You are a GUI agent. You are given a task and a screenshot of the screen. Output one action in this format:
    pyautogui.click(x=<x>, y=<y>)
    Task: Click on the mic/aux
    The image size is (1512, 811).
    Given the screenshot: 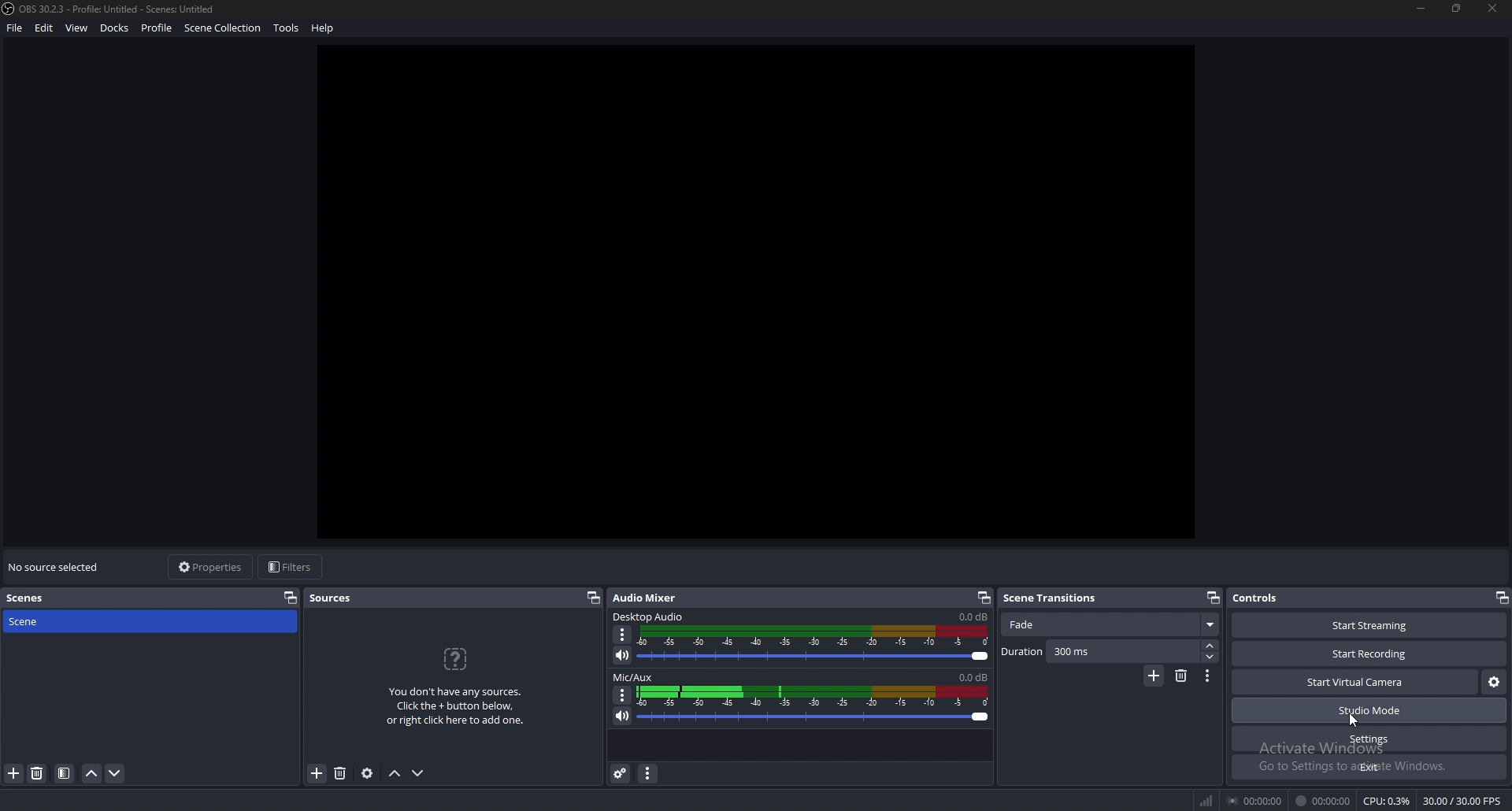 What is the action you would take?
    pyautogui.click(x=636, y=676)
    